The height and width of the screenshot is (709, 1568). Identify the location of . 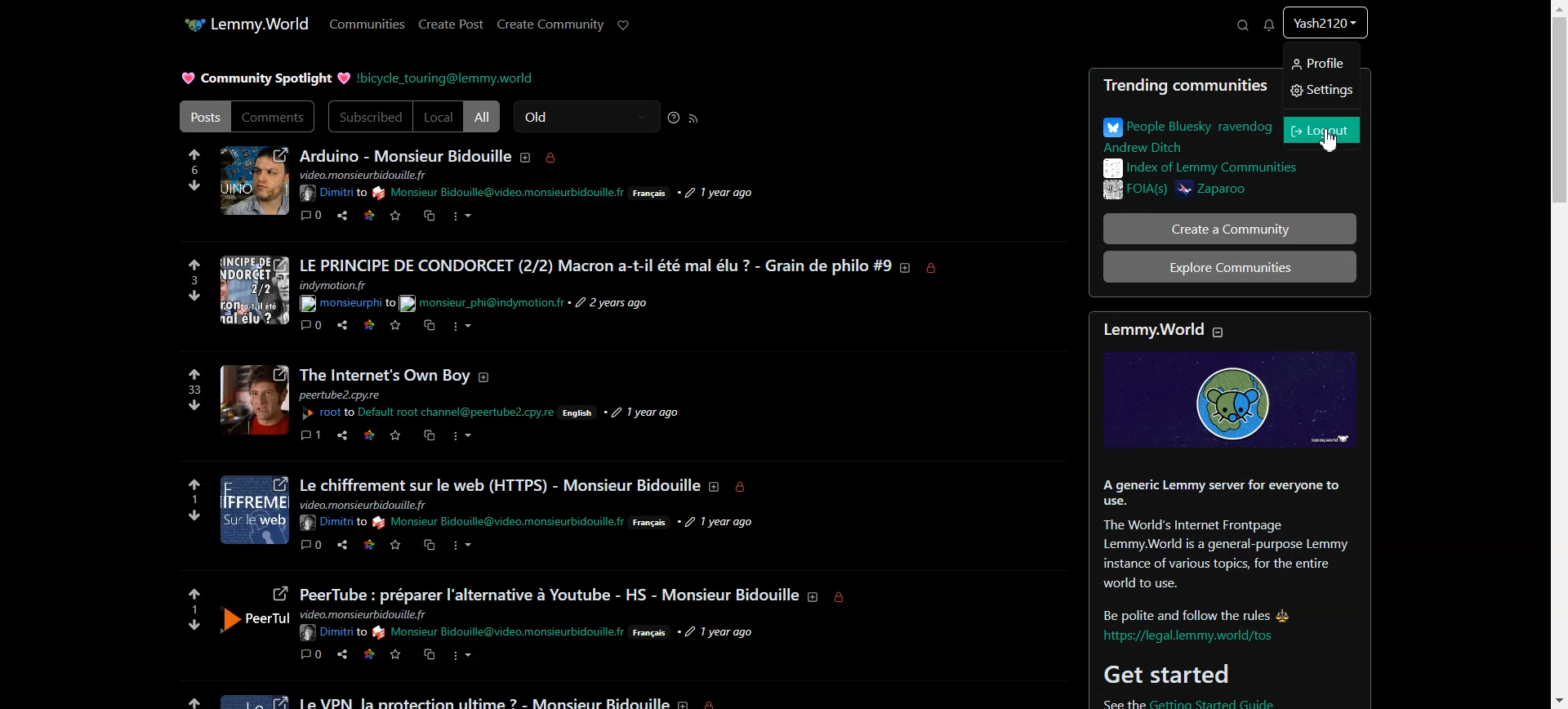
(254, 399).